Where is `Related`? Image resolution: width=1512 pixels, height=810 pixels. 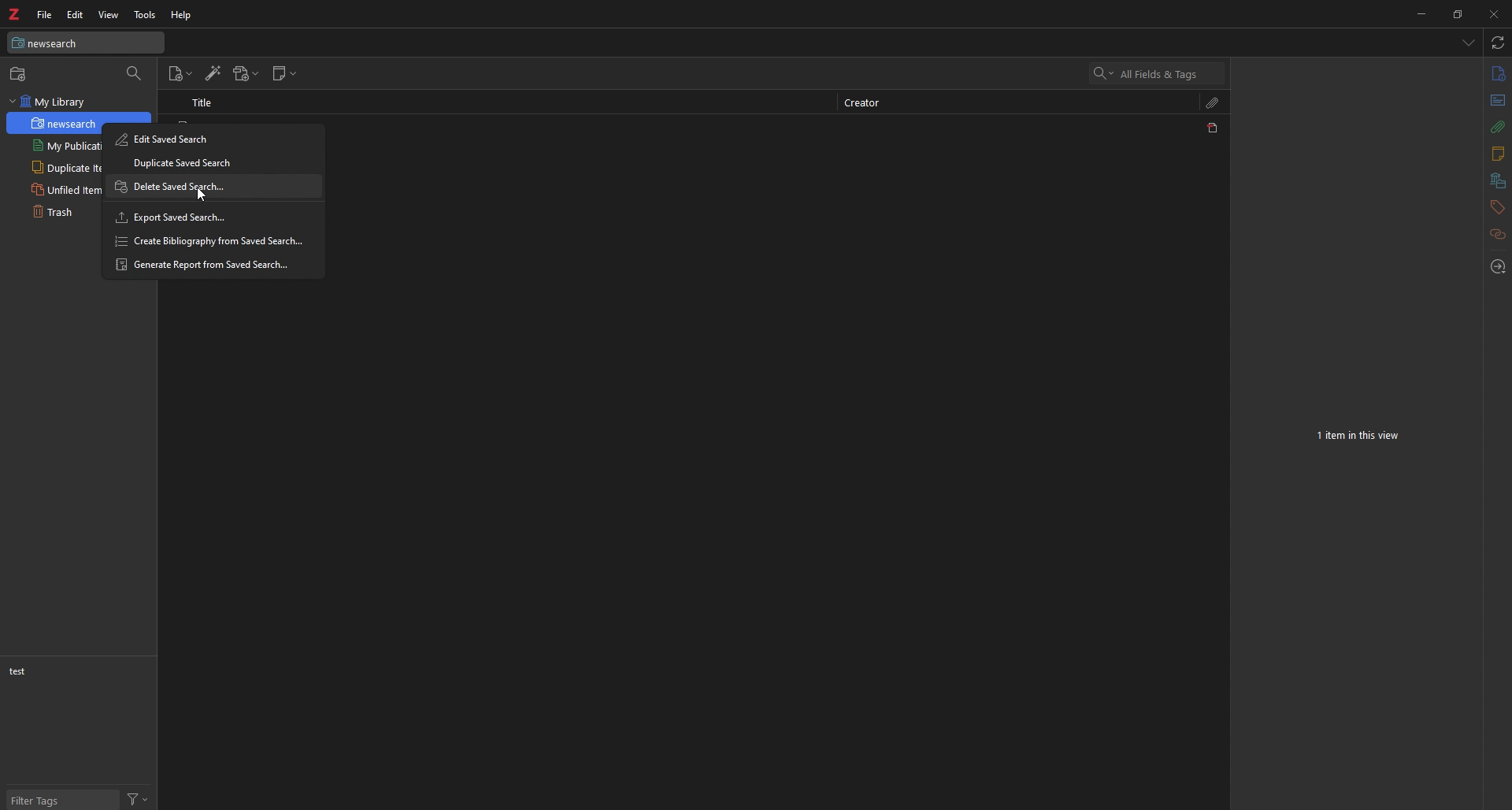 Related is located at coordinates (1497, 236).